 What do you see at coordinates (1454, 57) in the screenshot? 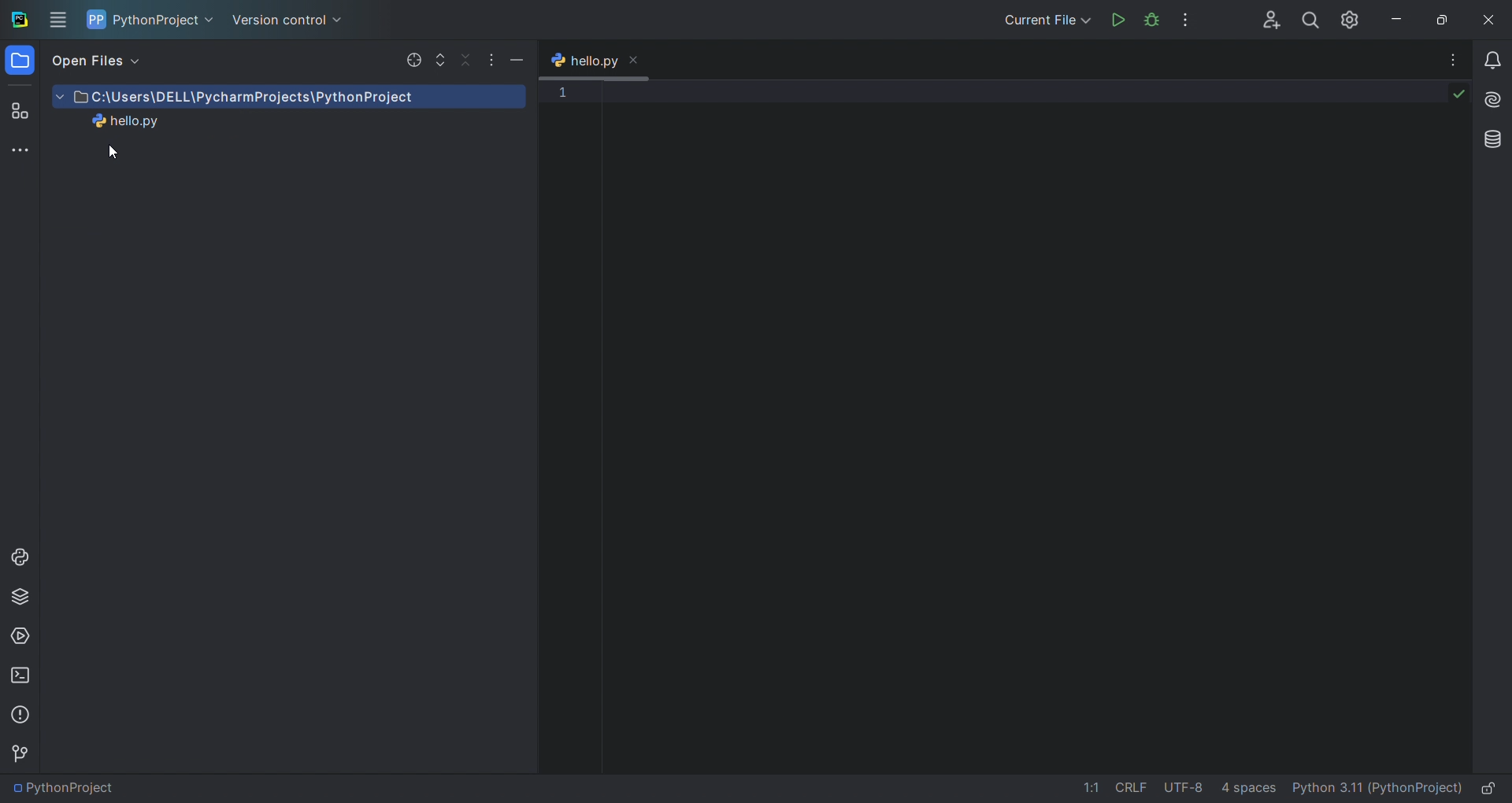
I see `options` at bounding box center [1454, 57].